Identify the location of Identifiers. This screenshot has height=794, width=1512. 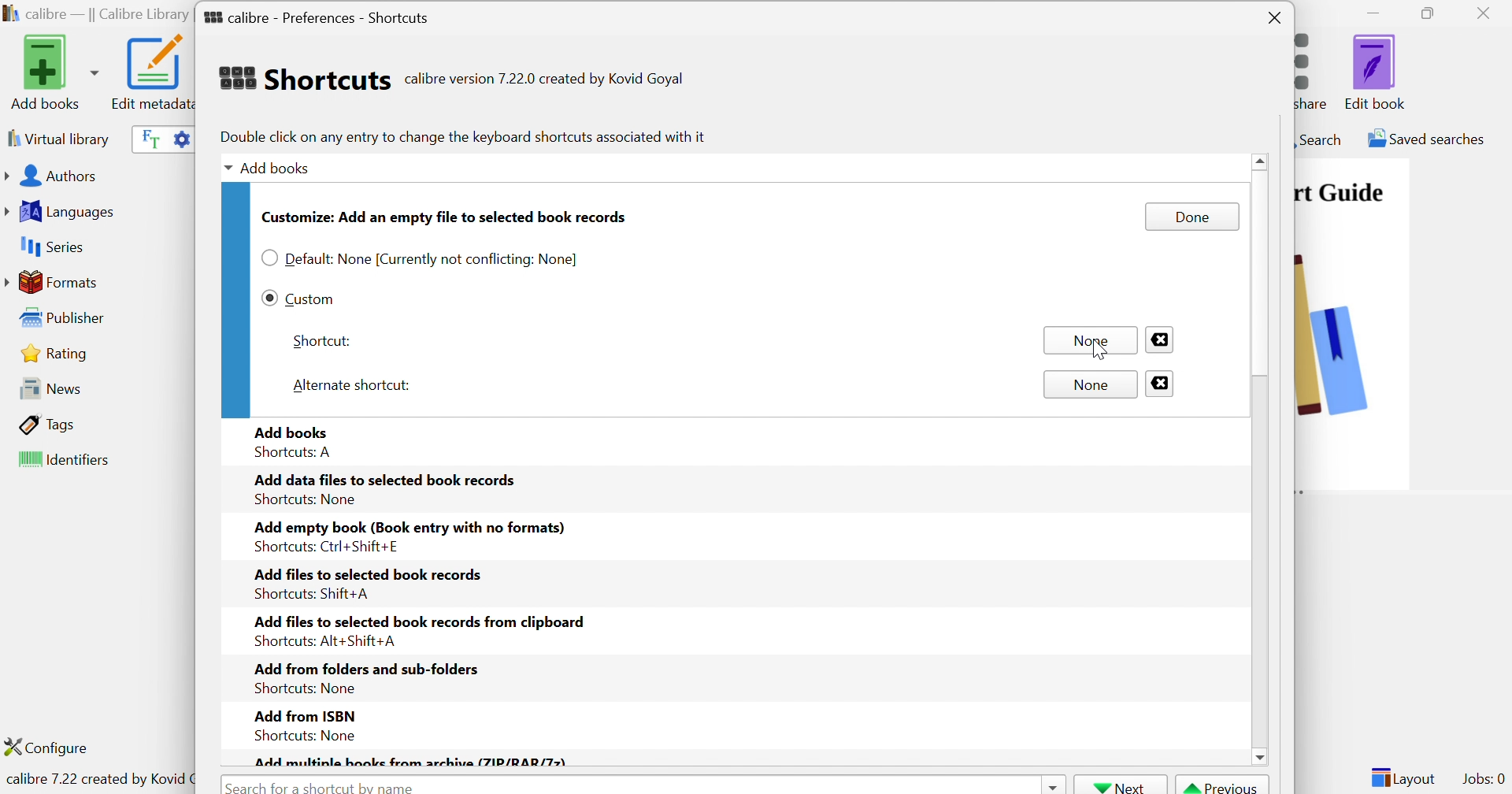
(67, 461).